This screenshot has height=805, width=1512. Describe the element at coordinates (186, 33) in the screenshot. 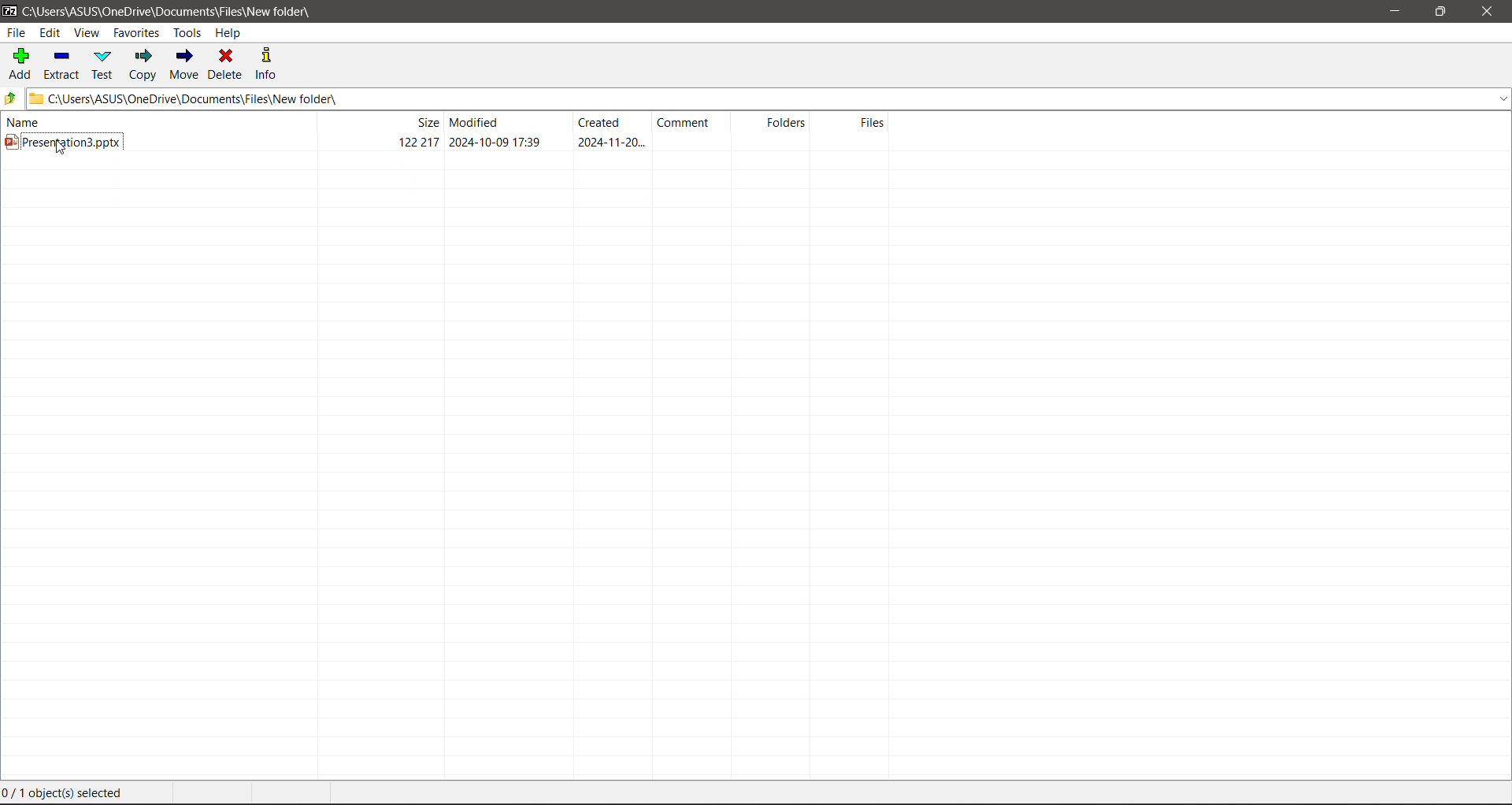

I see `Tools` at that location.